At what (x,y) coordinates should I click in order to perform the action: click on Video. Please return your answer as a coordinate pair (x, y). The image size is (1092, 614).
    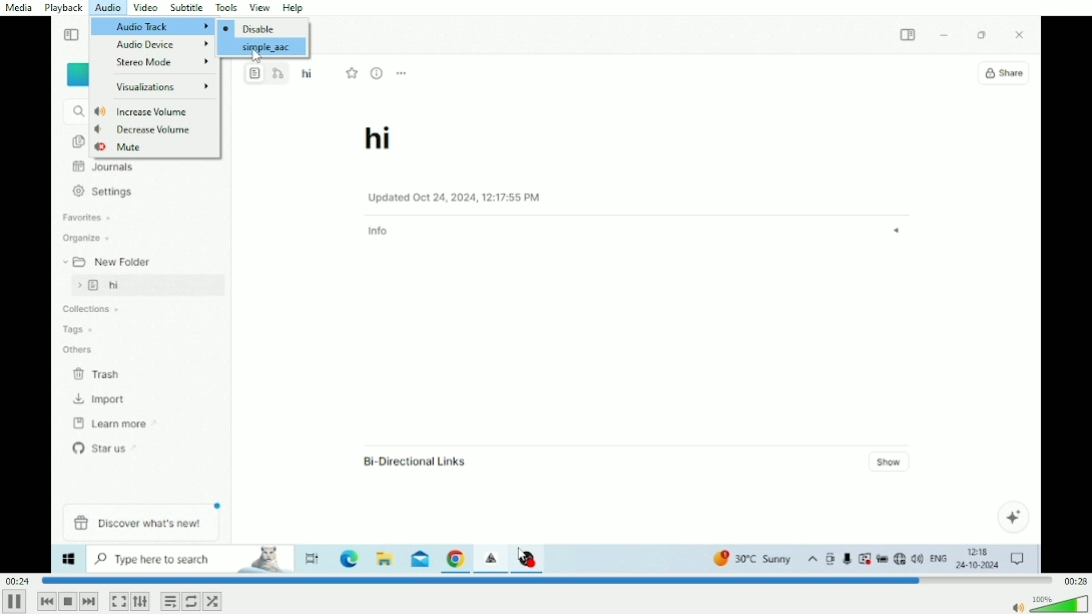
    Looking at the image, I should click on (546, 367).